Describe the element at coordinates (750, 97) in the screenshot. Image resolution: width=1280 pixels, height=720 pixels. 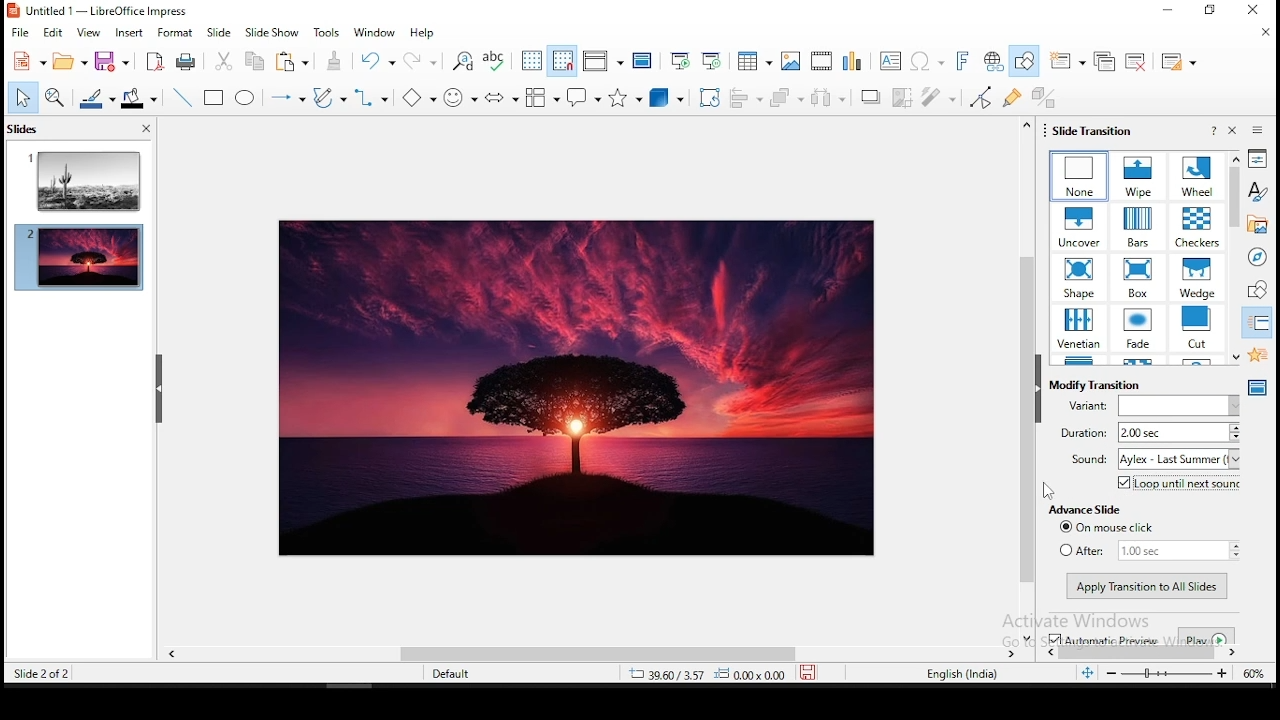
I see `align objects` at that location.